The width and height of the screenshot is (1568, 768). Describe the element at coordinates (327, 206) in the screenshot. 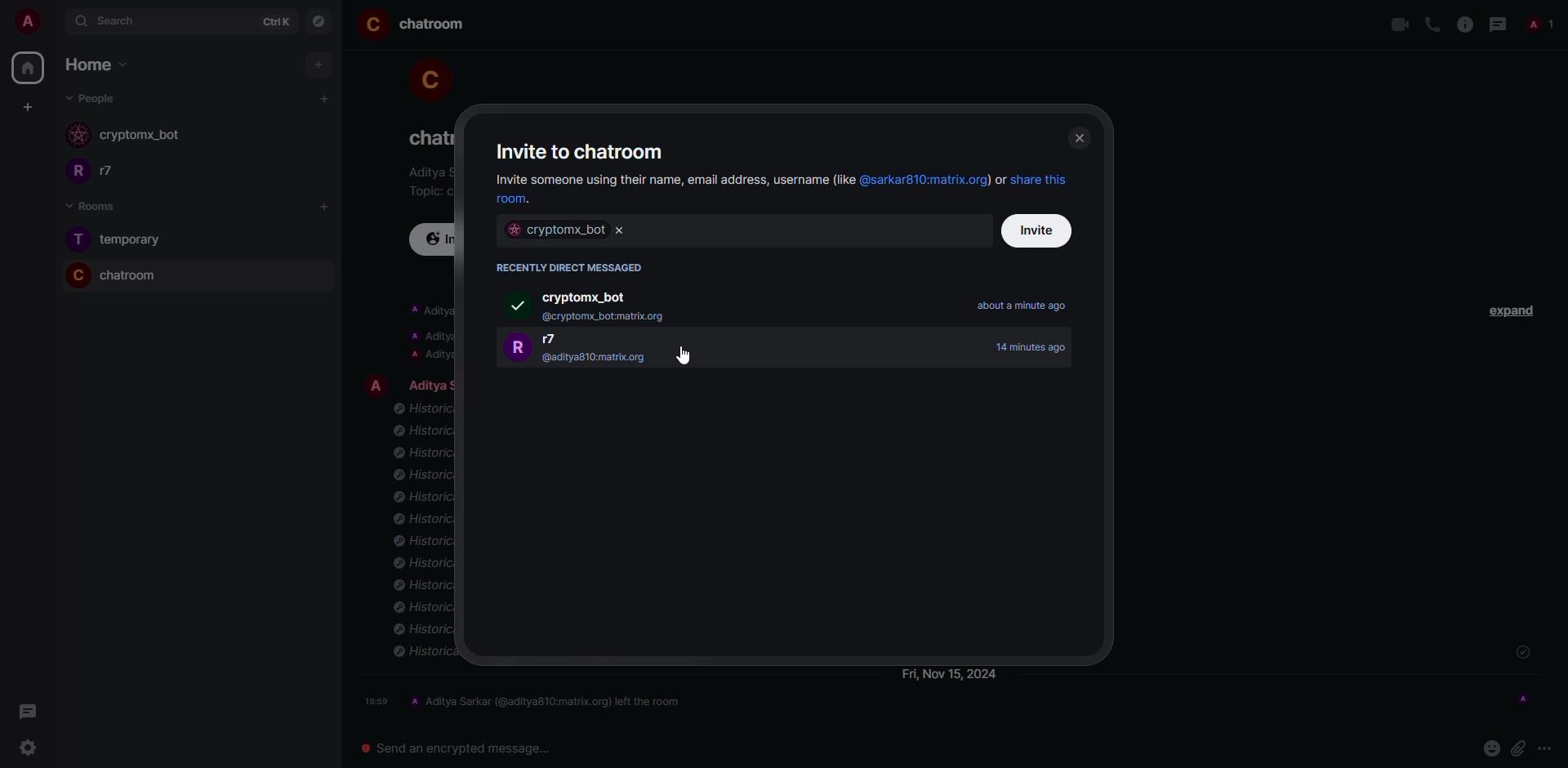

I see `add` at that location.